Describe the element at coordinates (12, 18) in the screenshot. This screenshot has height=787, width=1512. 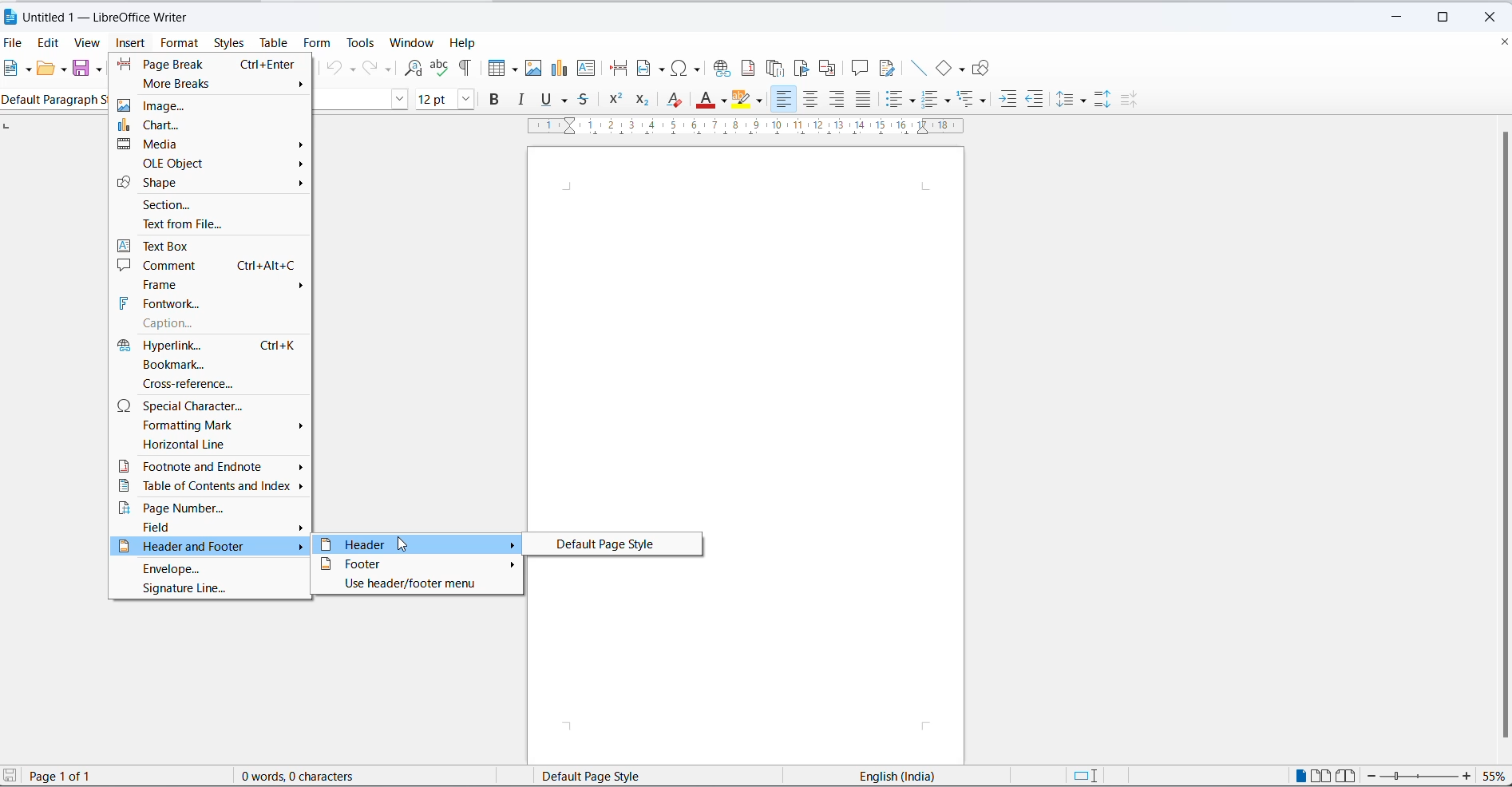
I see `LibreOffice Icon` at that location.